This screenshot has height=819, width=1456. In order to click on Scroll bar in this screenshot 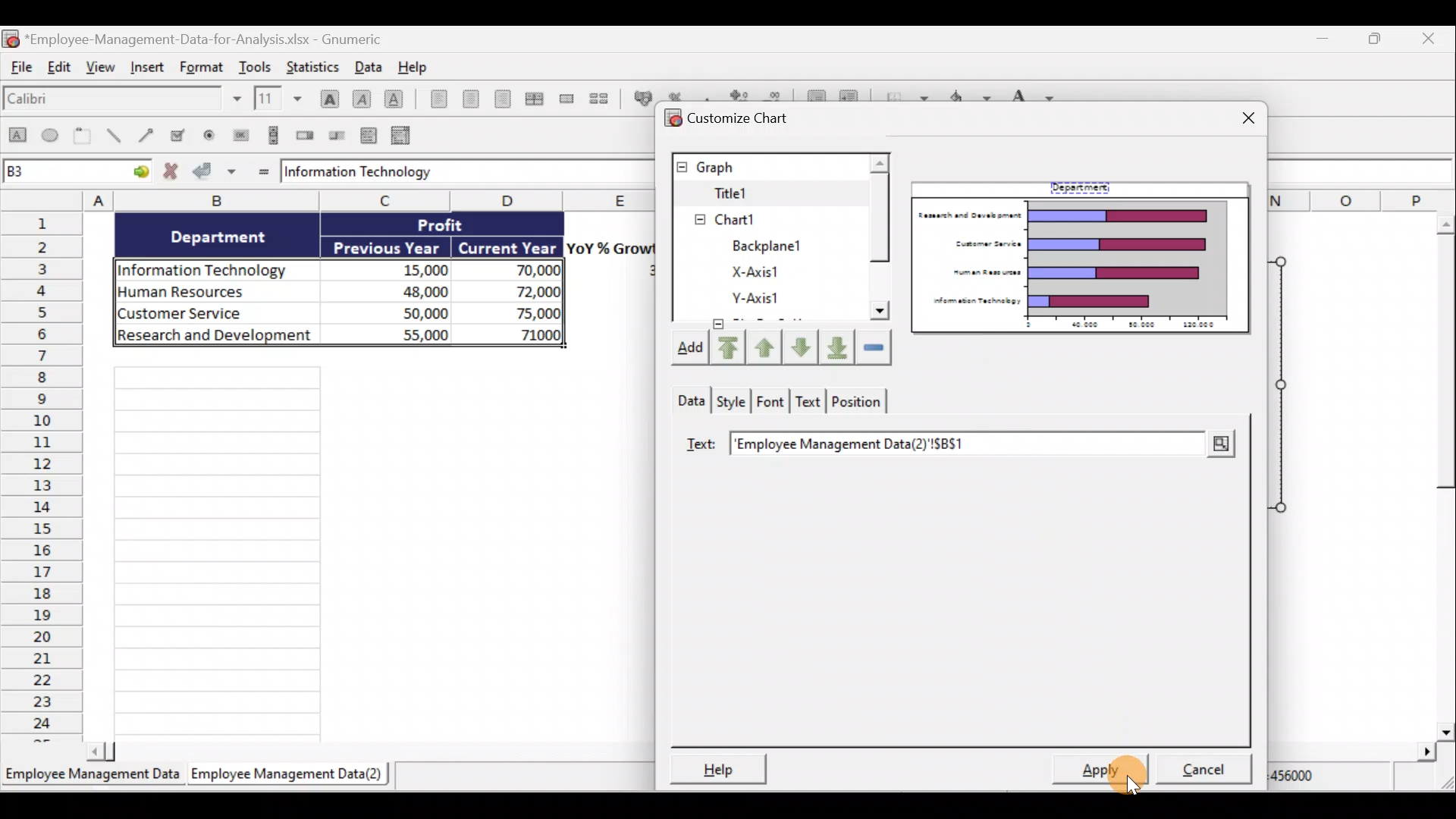, I will do `click(880, 238)`.